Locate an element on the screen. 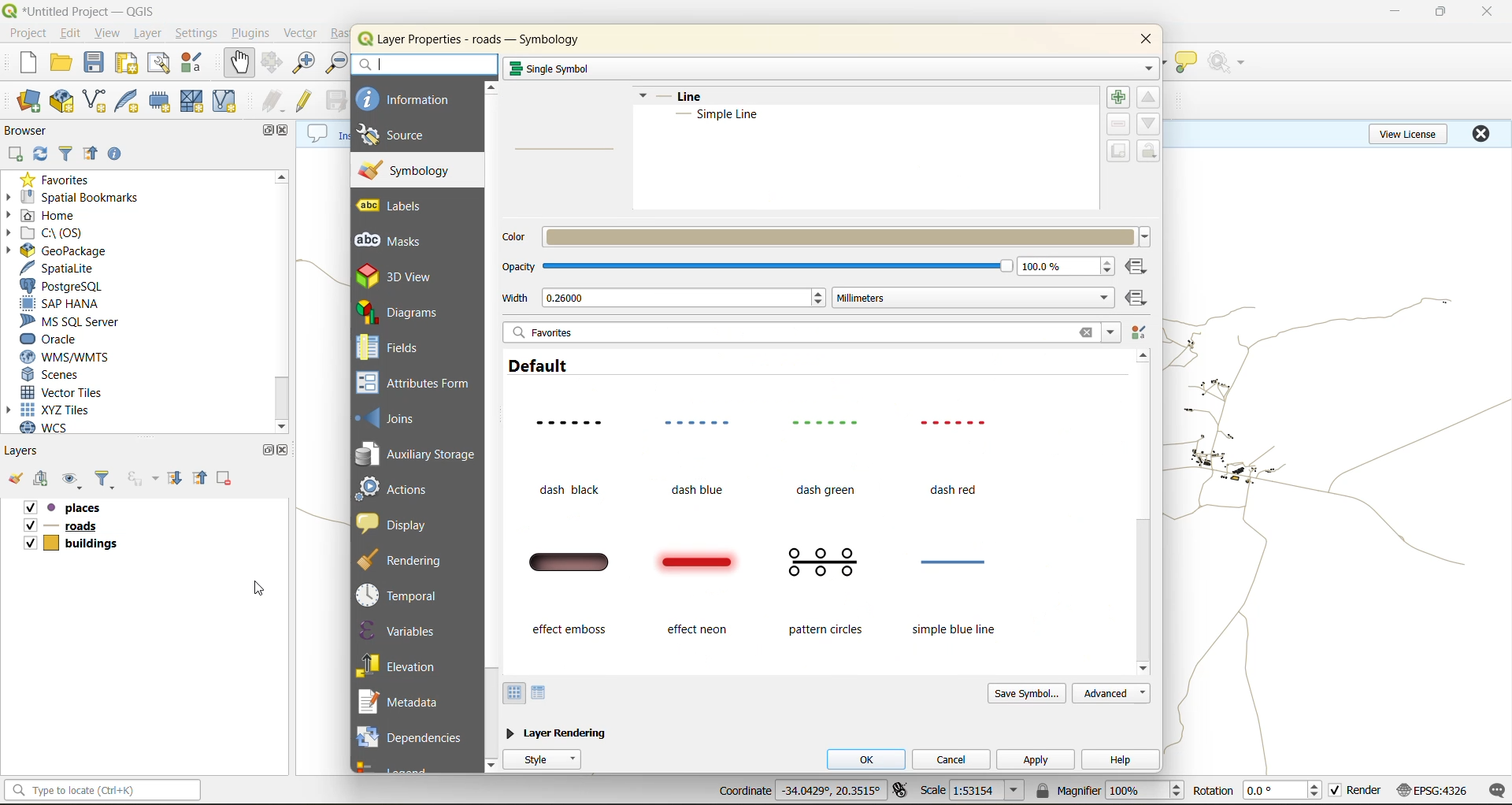  close is located at coordinates (1488, 13).